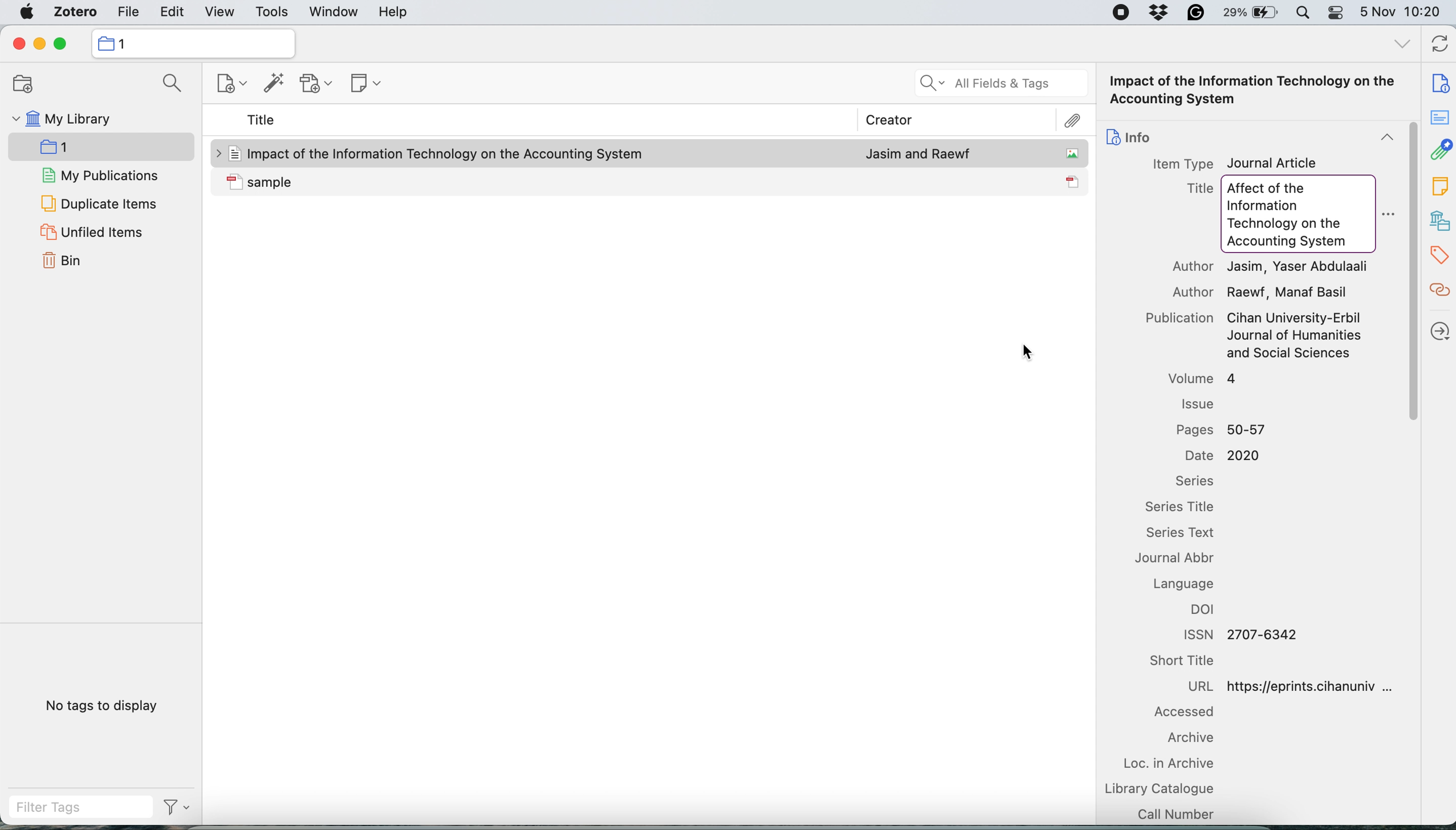  Describe the element at coordinates (1183, 584) in the screenshot. I see `language` at that location.